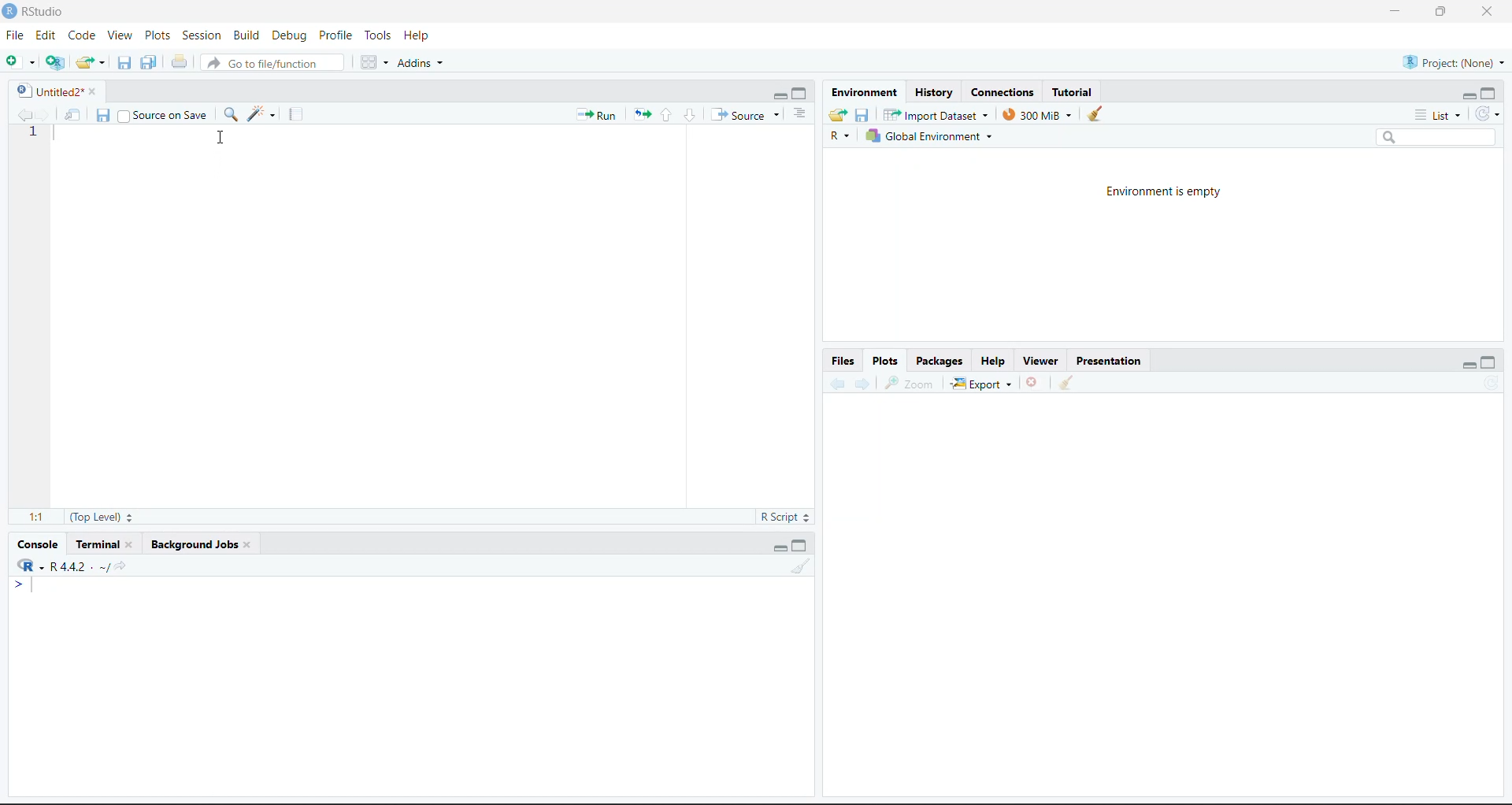 The height and width of the screenshot is (805, 1512). What do you see at coordinates (45, 112) in the screenshot?
I see `go back to the next source location` at bounding box center [45, 112].